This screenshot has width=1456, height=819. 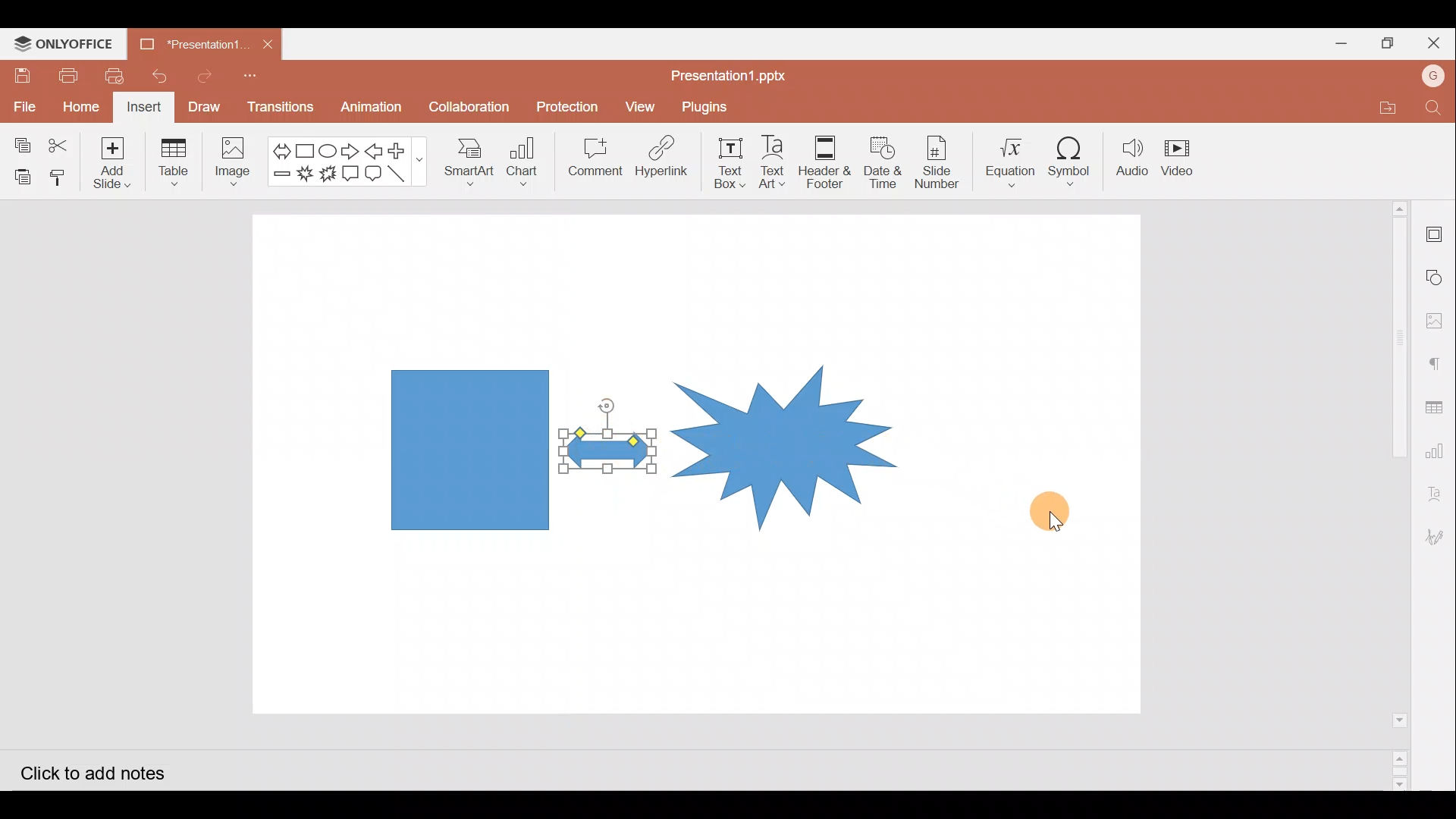 What do you see at coordinates (1433, 78) in the screenshot?
I see `Account name` at bounding box center [1433, 78].